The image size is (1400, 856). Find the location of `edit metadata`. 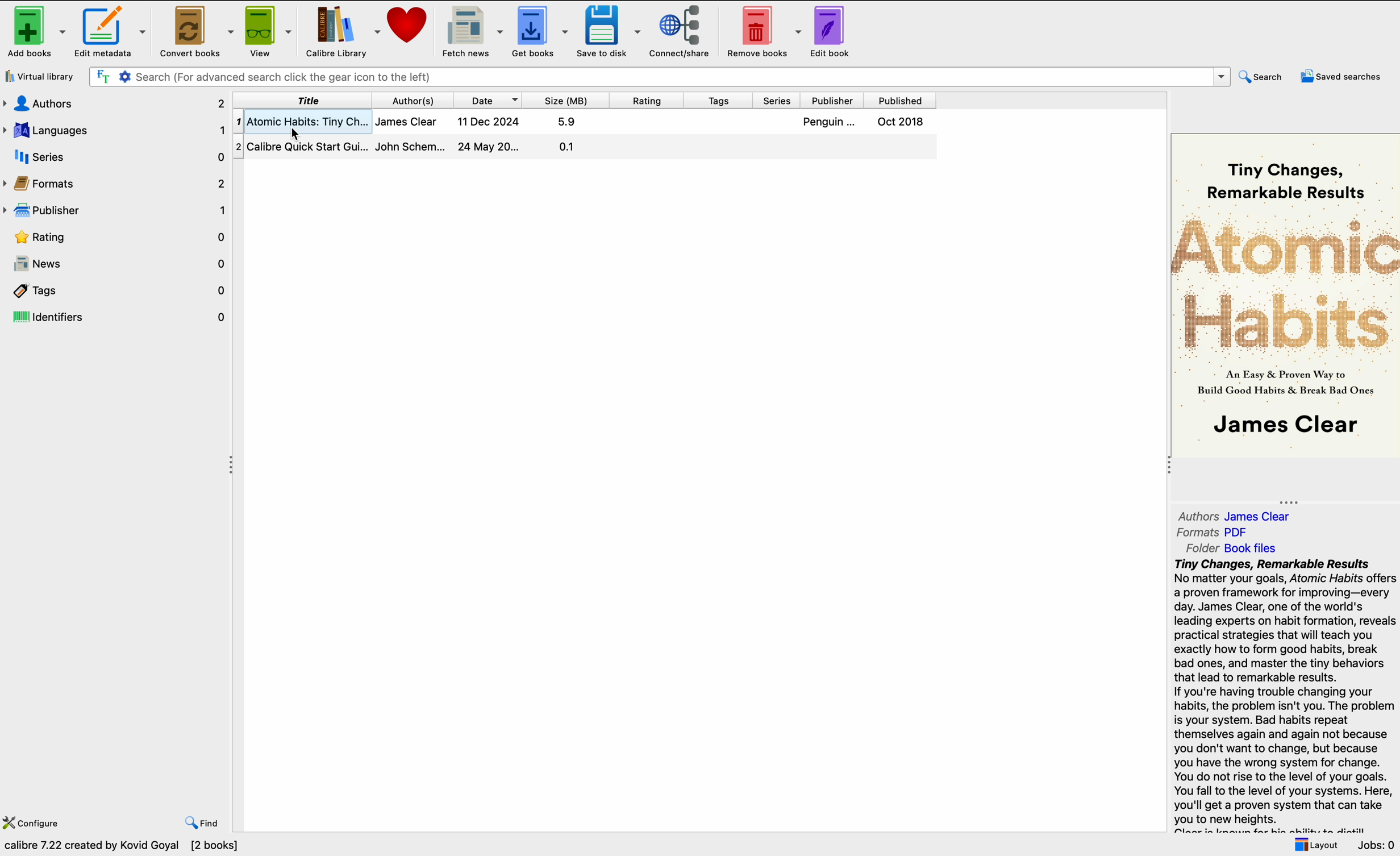

edit metadata is located at coordinates (111, 31).